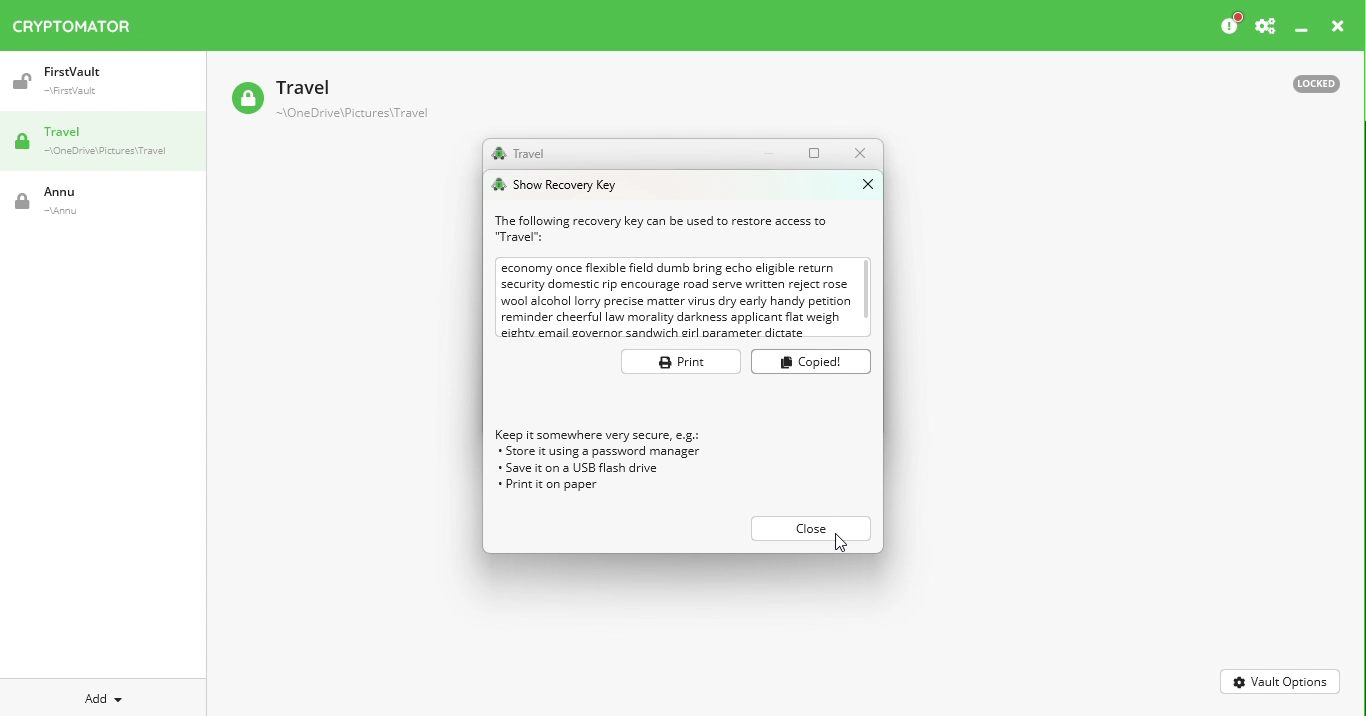  Describe the element at coordinates (774, 153) in the screenshot. I see `Minimize` at that location.